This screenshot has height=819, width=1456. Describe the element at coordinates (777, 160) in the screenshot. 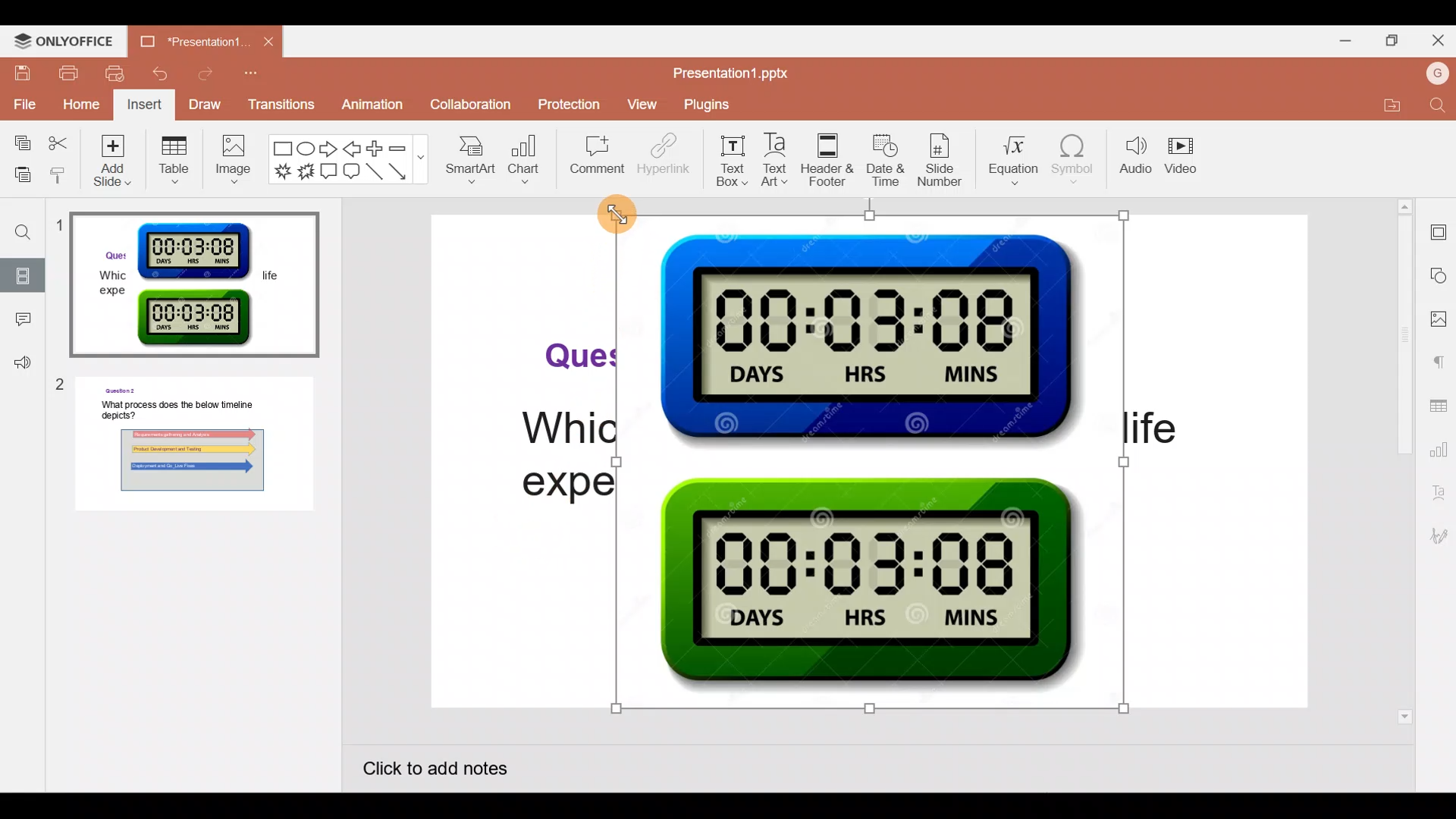

I see `Text Art` at that location.